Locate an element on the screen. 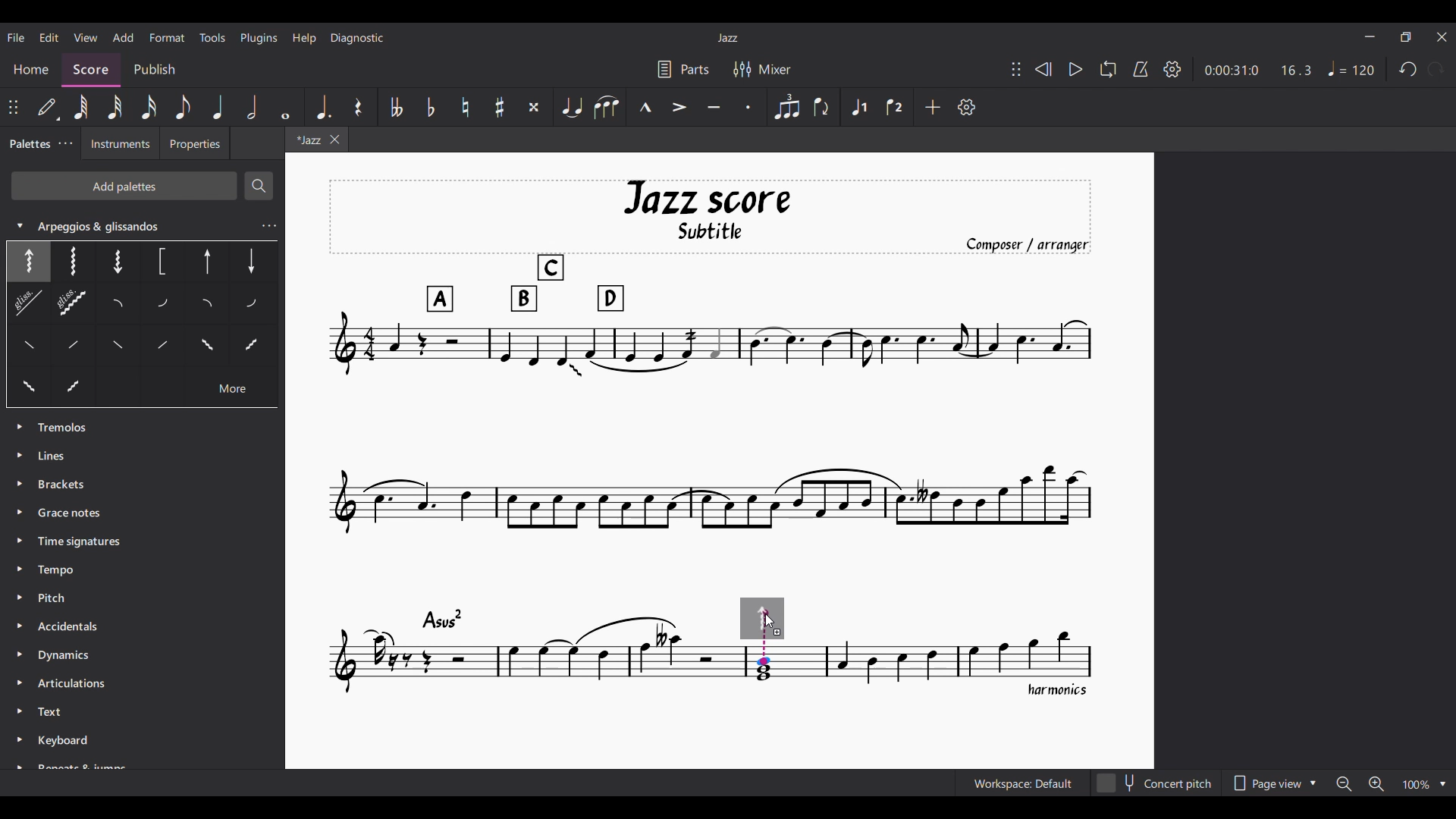  Default is located at coordinates (49, 107).